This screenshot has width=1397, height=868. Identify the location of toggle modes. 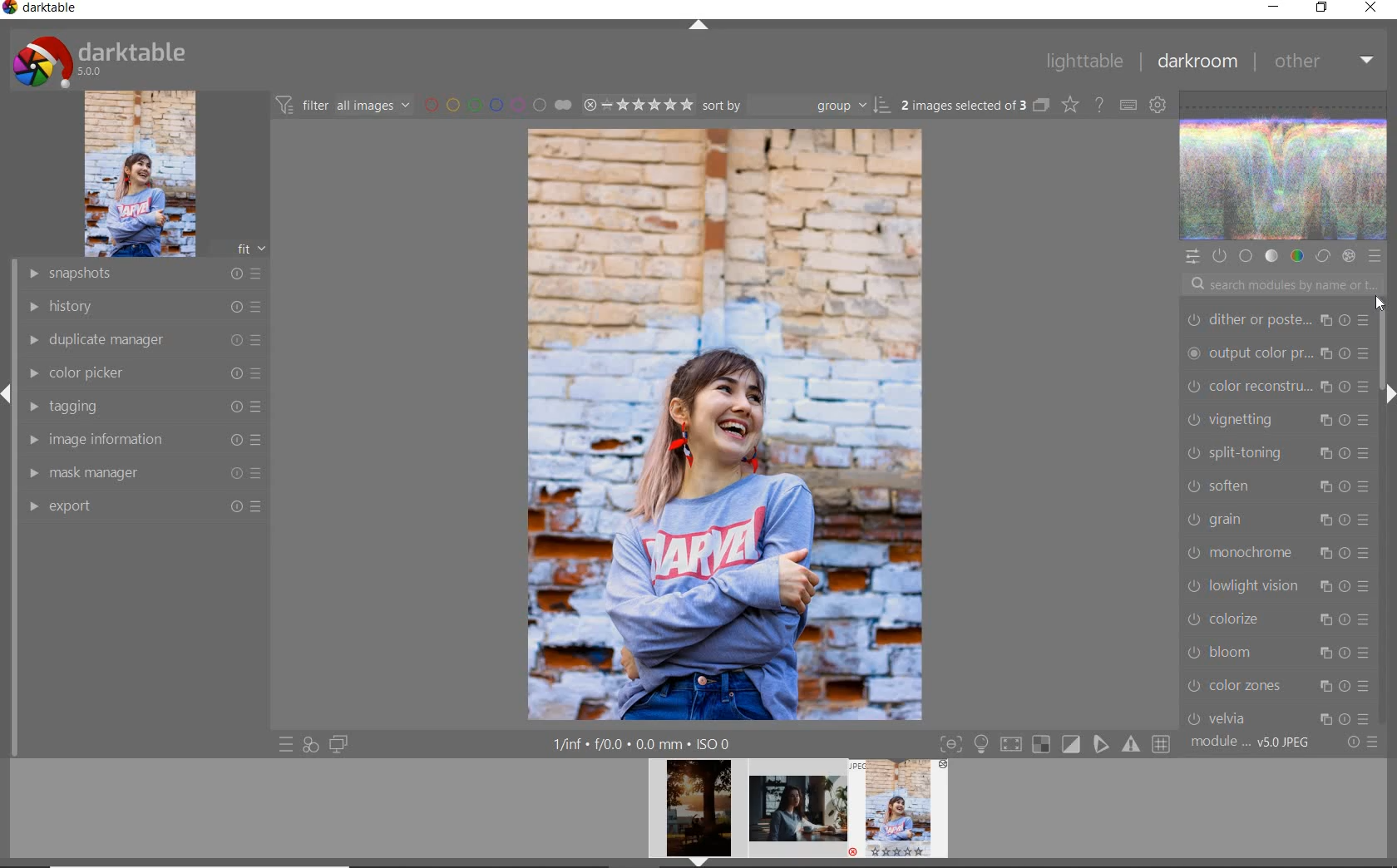
(1055, 742).